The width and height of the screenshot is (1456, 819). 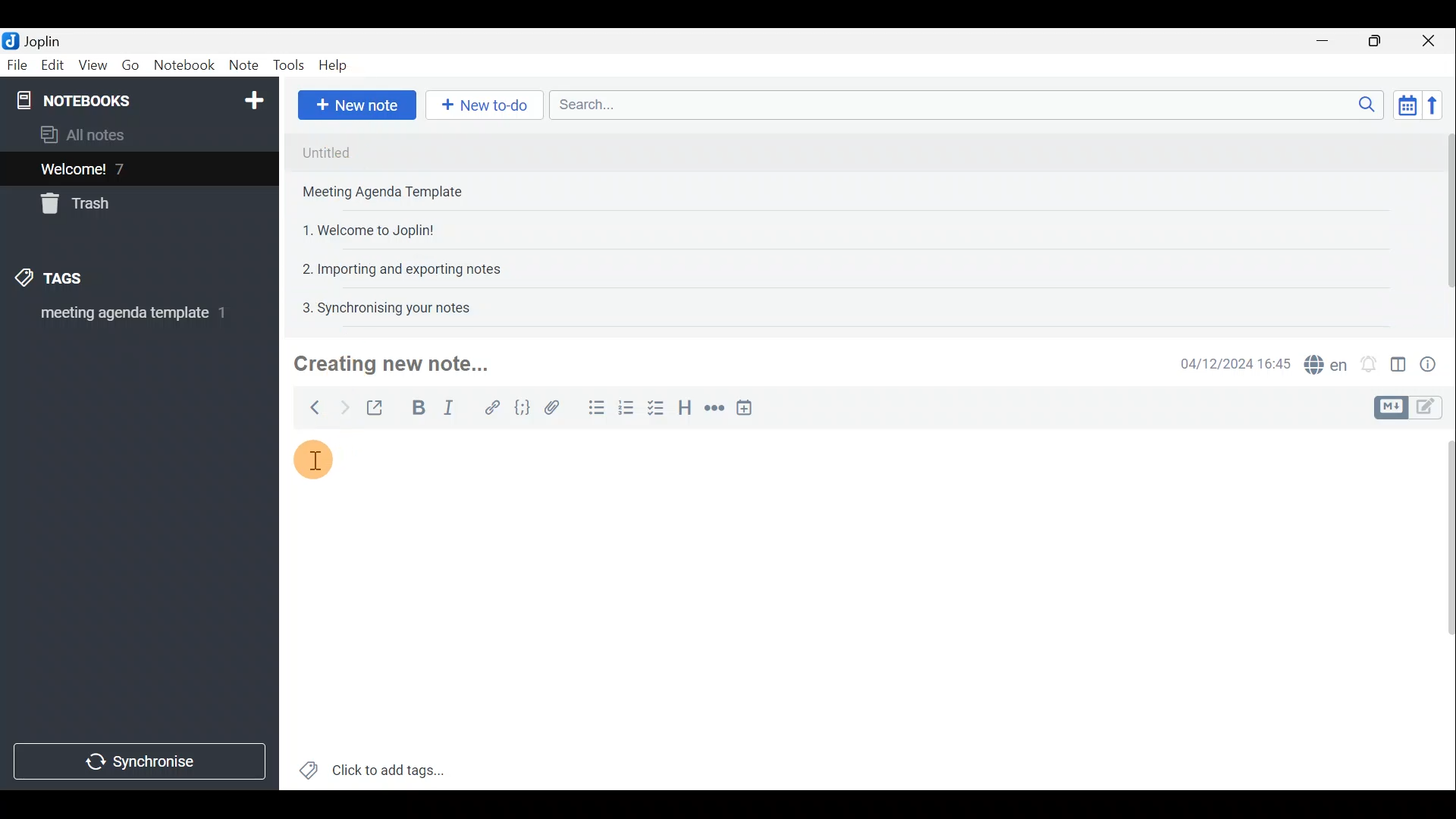 What do you see at coordinates (416, 406) in the screenshot?
I see `Bold` at bounding box center [416, 406].